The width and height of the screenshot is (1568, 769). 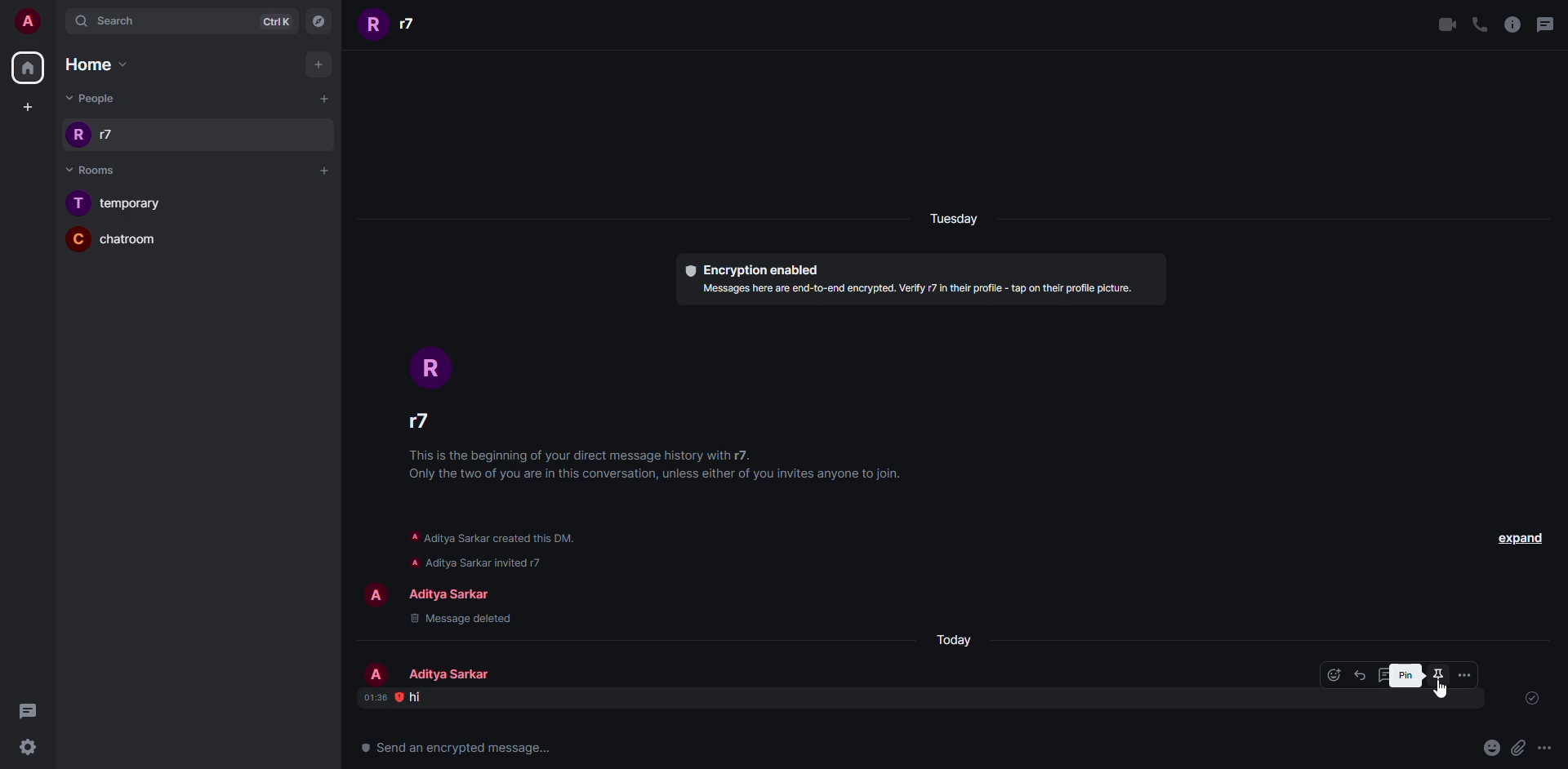 What do you see at coordinates (663, 468) in the screenshot?
I see `info` at bounding box center [663, 468].